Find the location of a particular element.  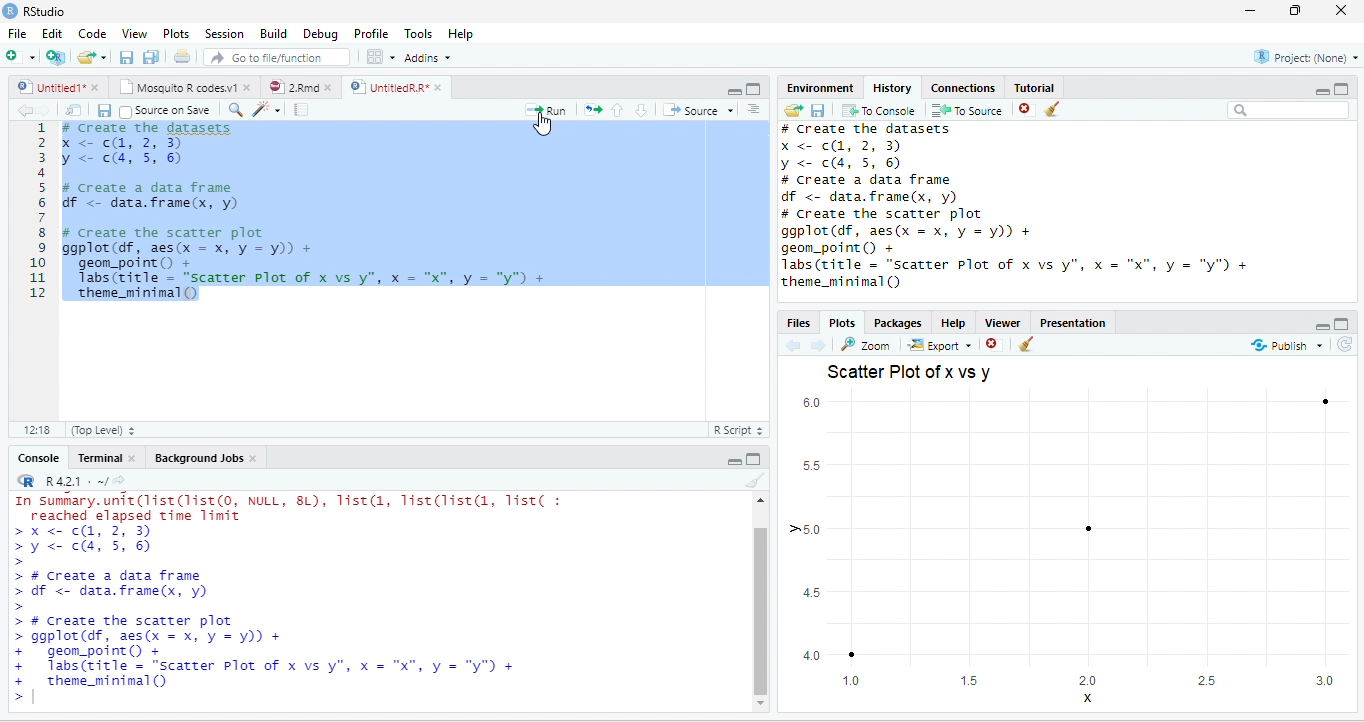

Source on Save is located at coordinates (166, 112).